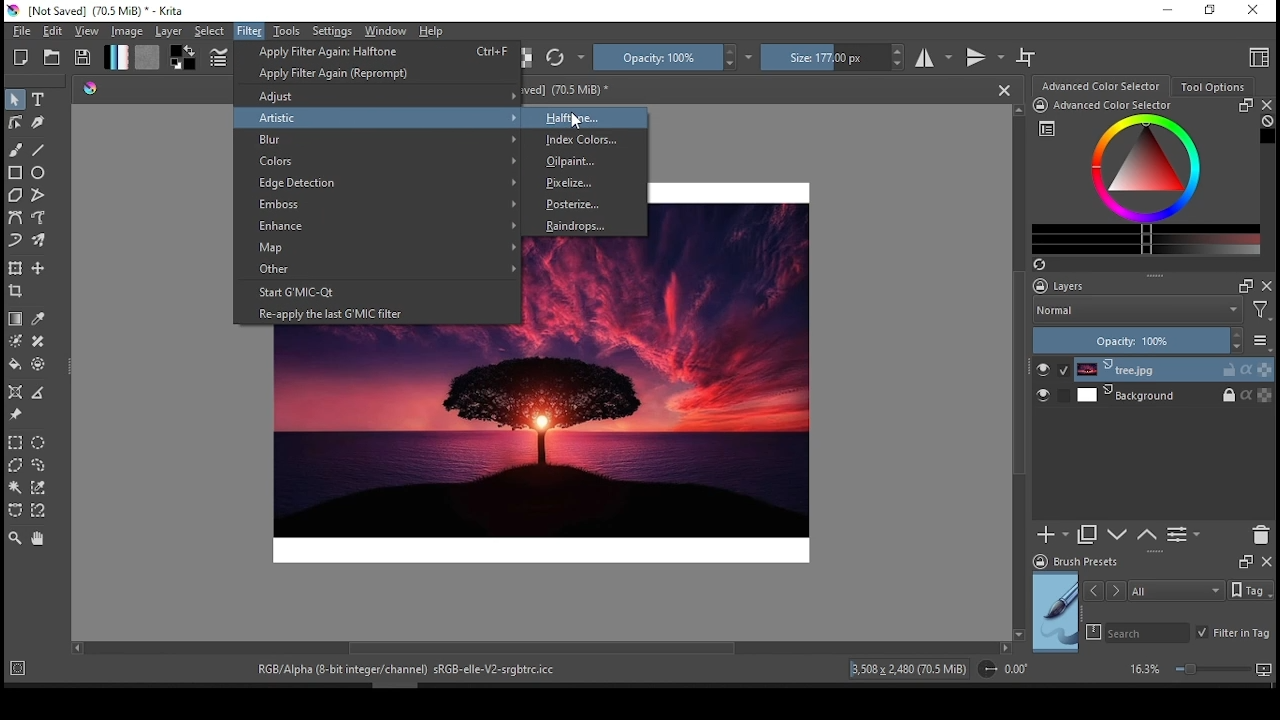 Image resolution: width=1280 pixels, height=720 pixels. I want to click on adjust, so click(379, 96).